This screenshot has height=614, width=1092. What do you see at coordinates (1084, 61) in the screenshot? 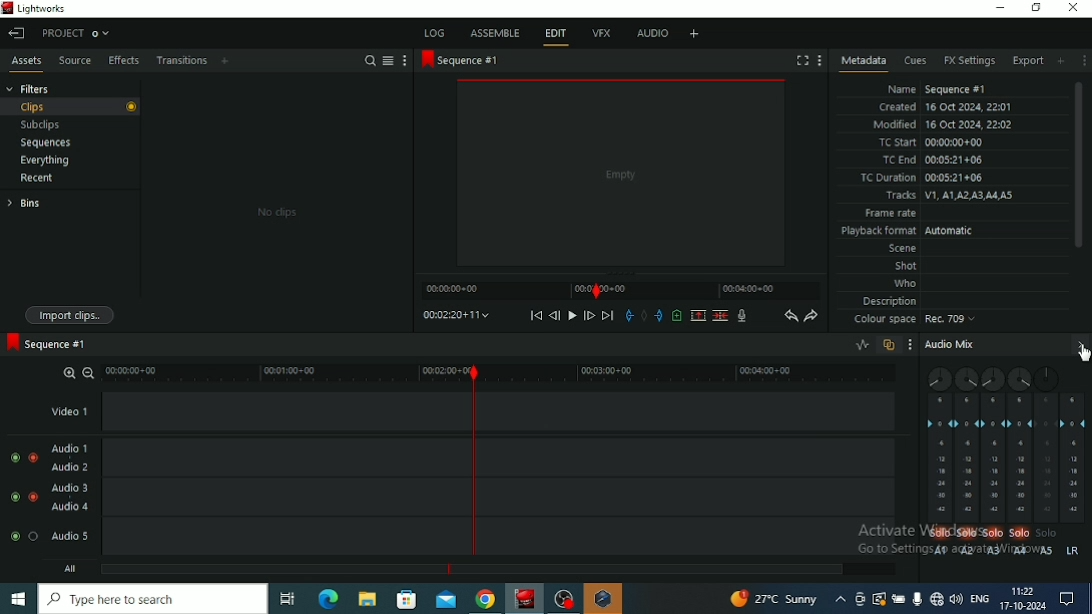
I see `Show settings menu` at bounding box center [1084, 61].